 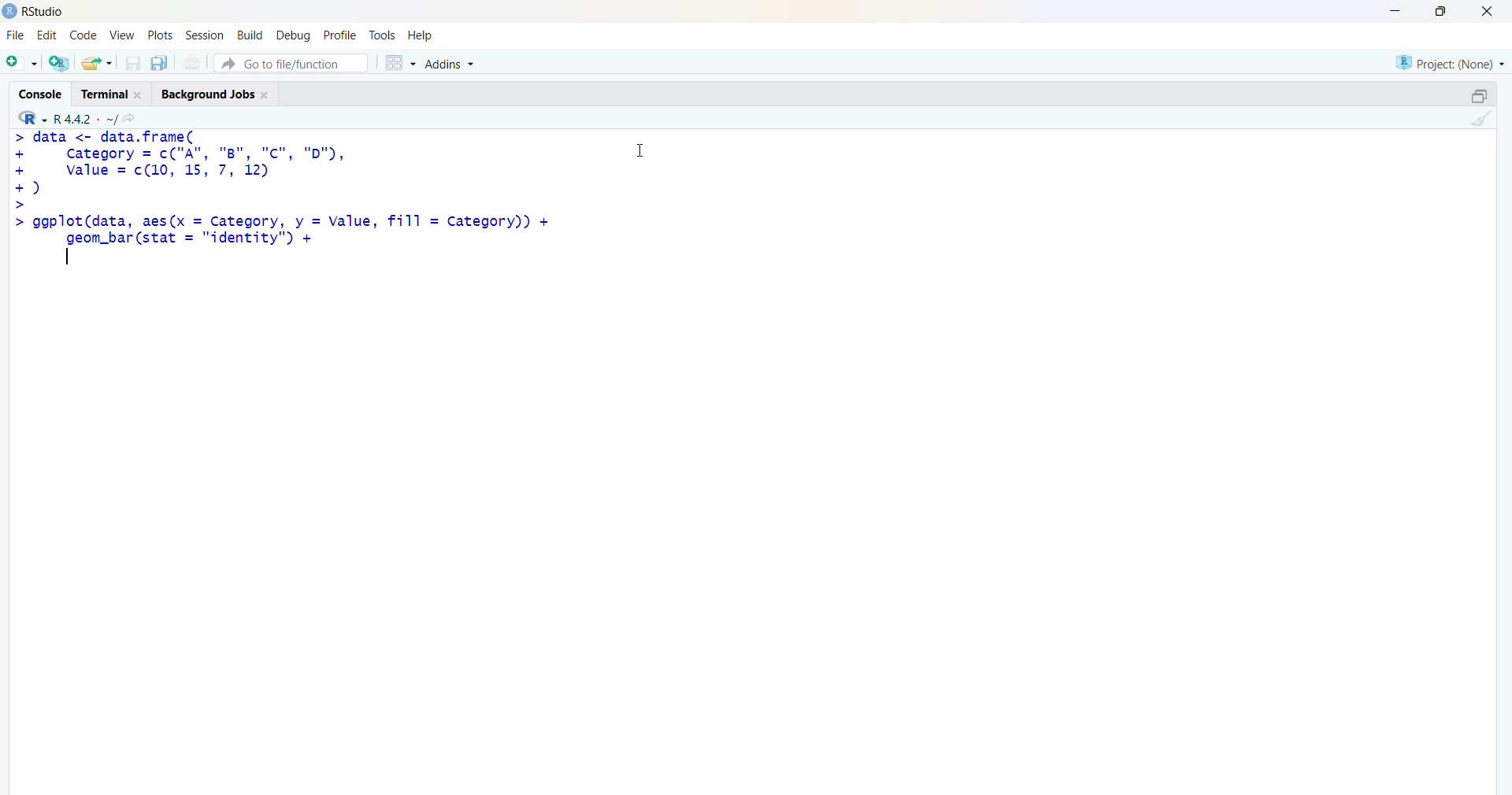 I want to click on  R language version - R 4.4.2, so click(x=85, y=117).